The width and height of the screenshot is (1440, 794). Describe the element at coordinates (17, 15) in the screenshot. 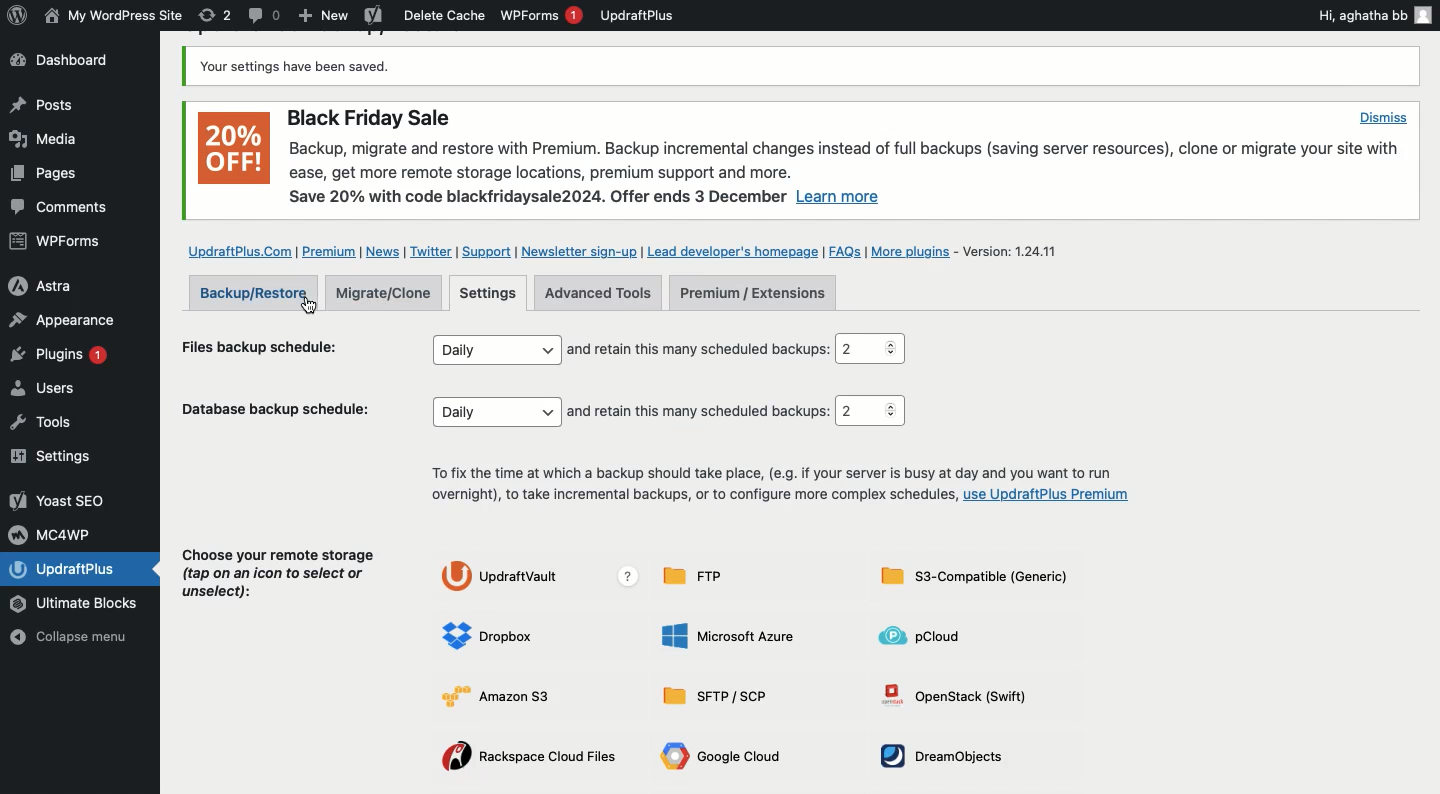

I see `wordpress logo` at that location.